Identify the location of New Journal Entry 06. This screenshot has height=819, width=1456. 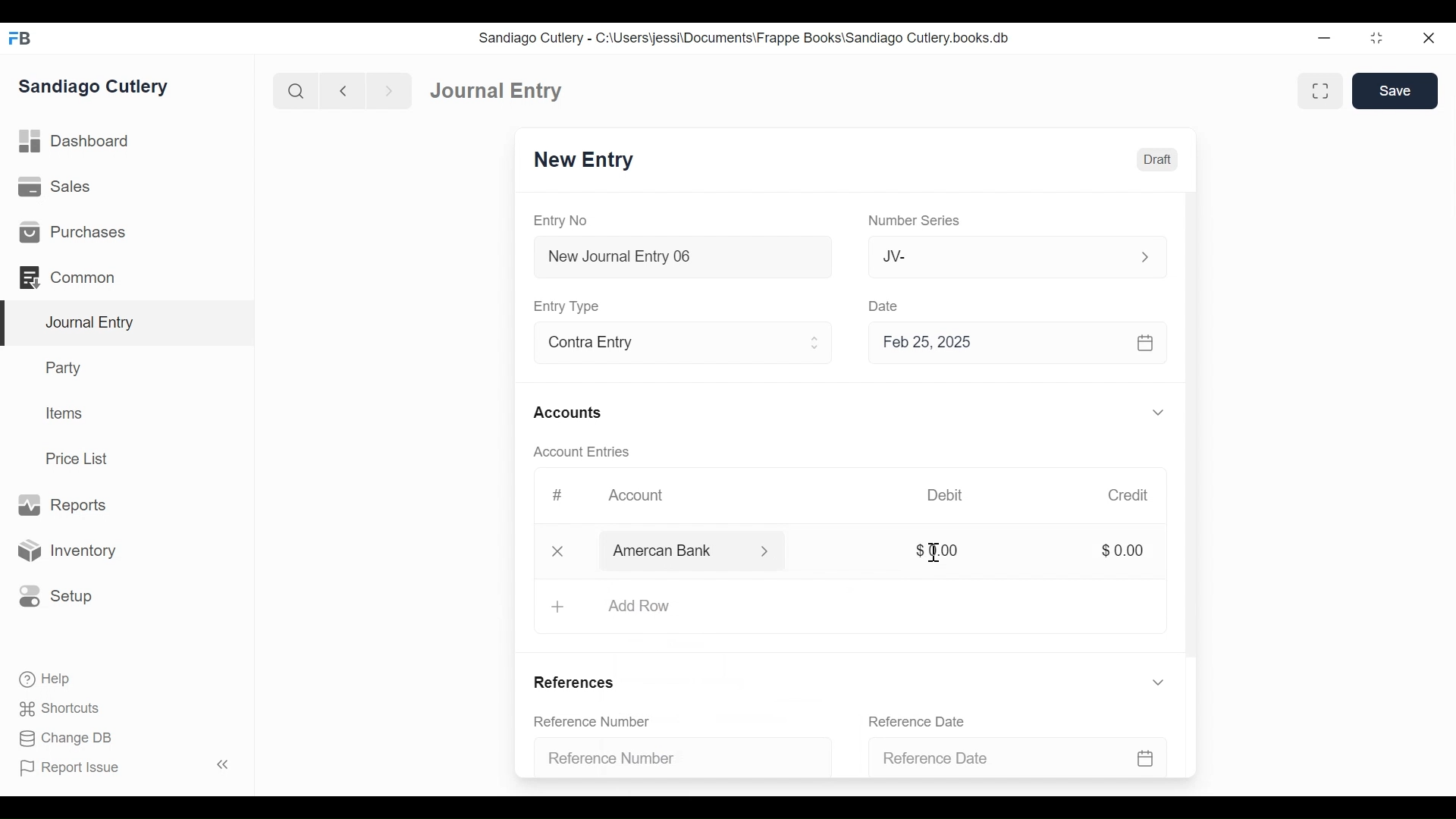
(680, 259).